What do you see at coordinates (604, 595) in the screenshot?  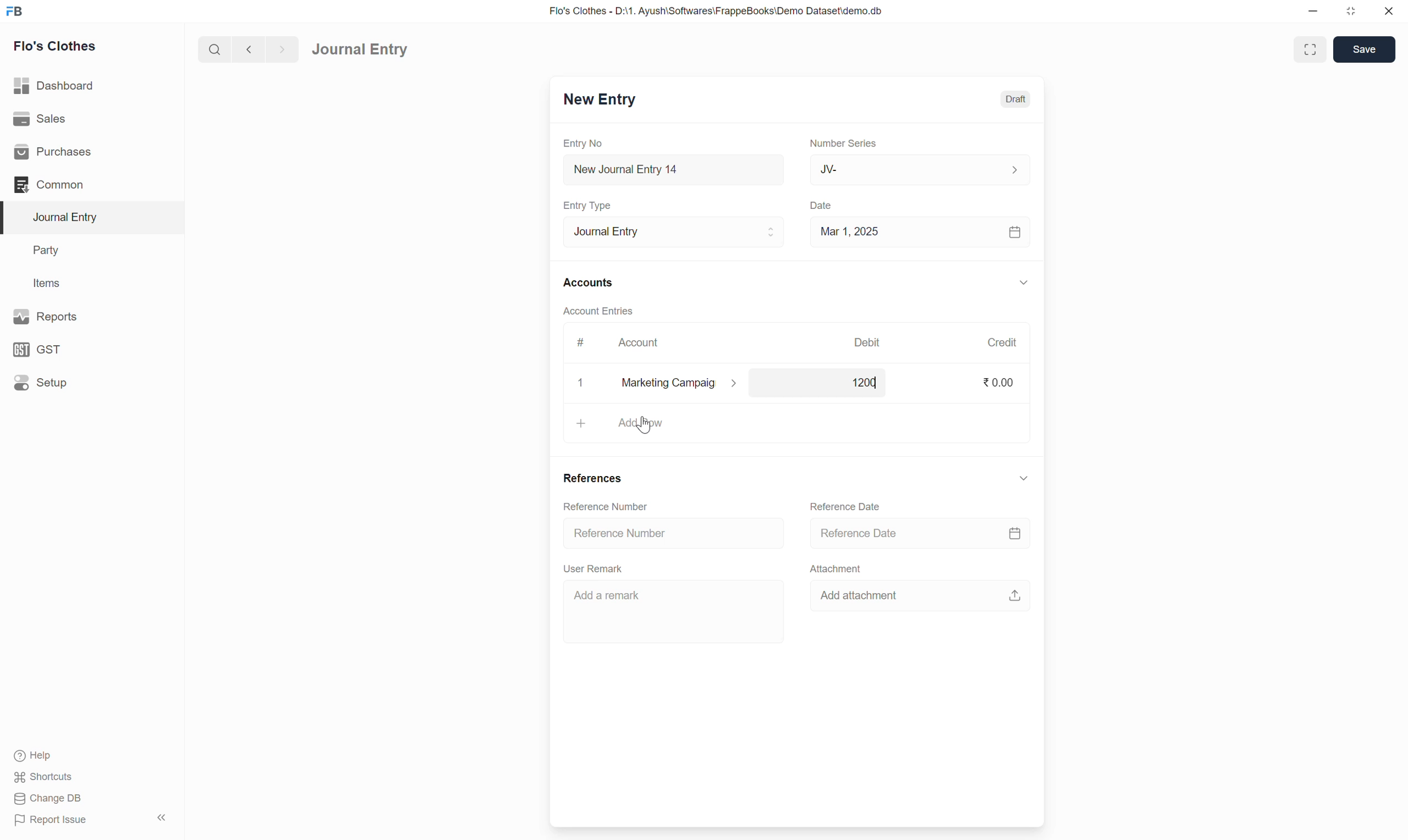 I see `Add a remark` at bounding box center [604, 595].